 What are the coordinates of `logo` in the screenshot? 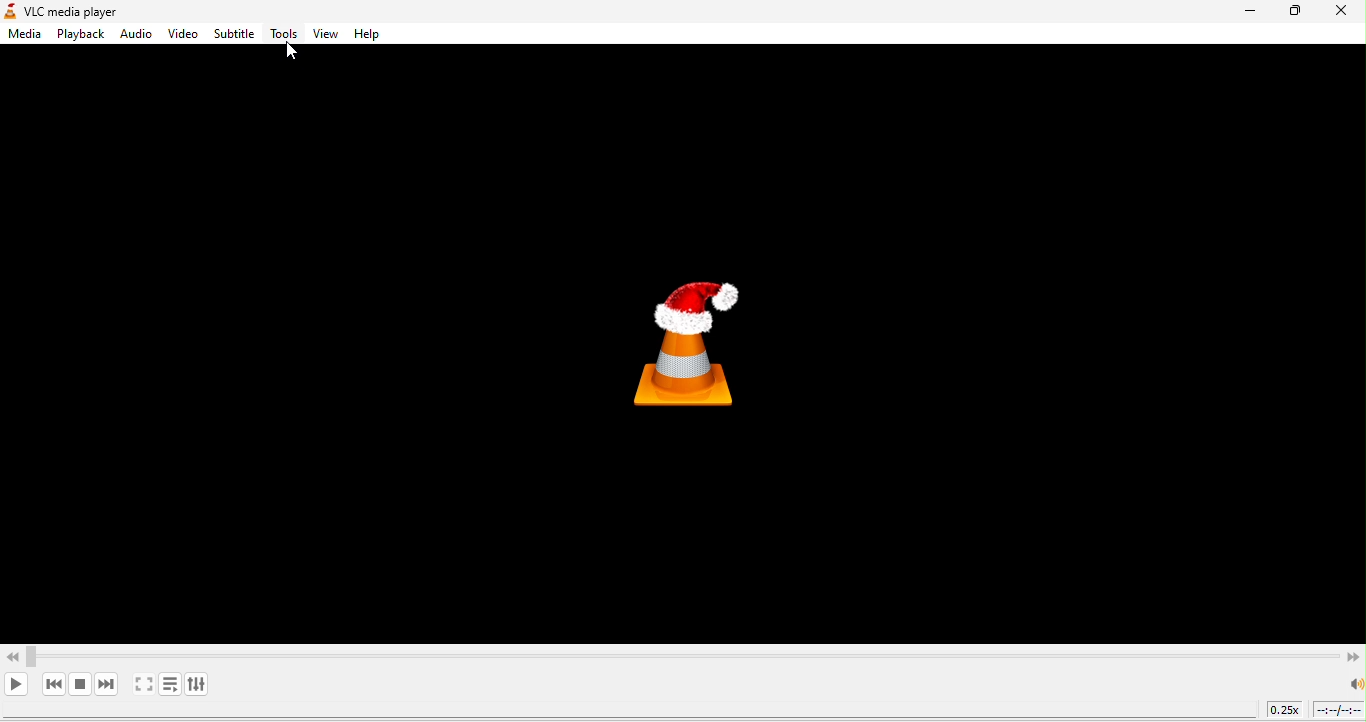 It's located at (9, 12).